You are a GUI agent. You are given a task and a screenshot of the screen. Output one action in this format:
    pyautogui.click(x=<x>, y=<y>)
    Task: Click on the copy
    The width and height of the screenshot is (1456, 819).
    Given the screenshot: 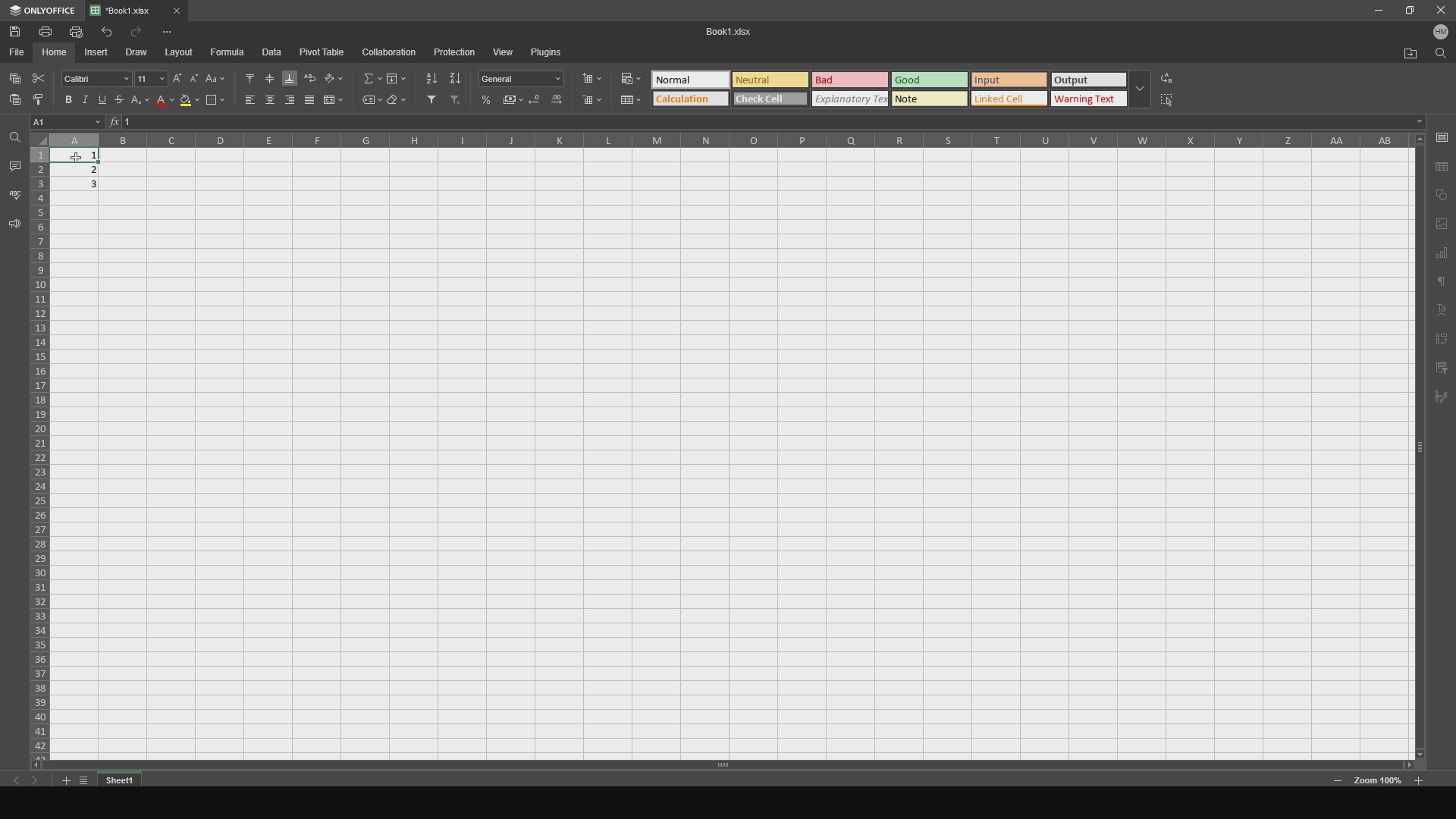 What is the action you would take?
    pyautogui.click(x=14, y=76)
    